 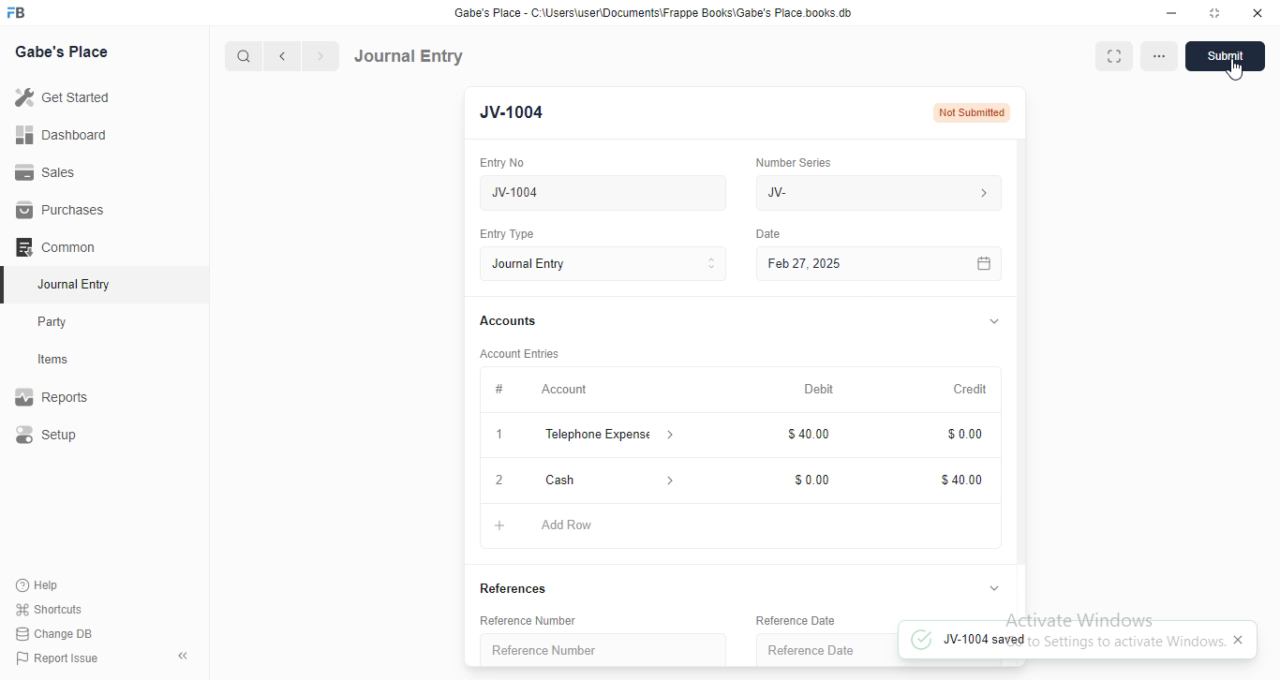 What do you see at coordinates (883, 264) in the screenshot?
I see `Feb 27, 2025` at bounding box center [883, 264].